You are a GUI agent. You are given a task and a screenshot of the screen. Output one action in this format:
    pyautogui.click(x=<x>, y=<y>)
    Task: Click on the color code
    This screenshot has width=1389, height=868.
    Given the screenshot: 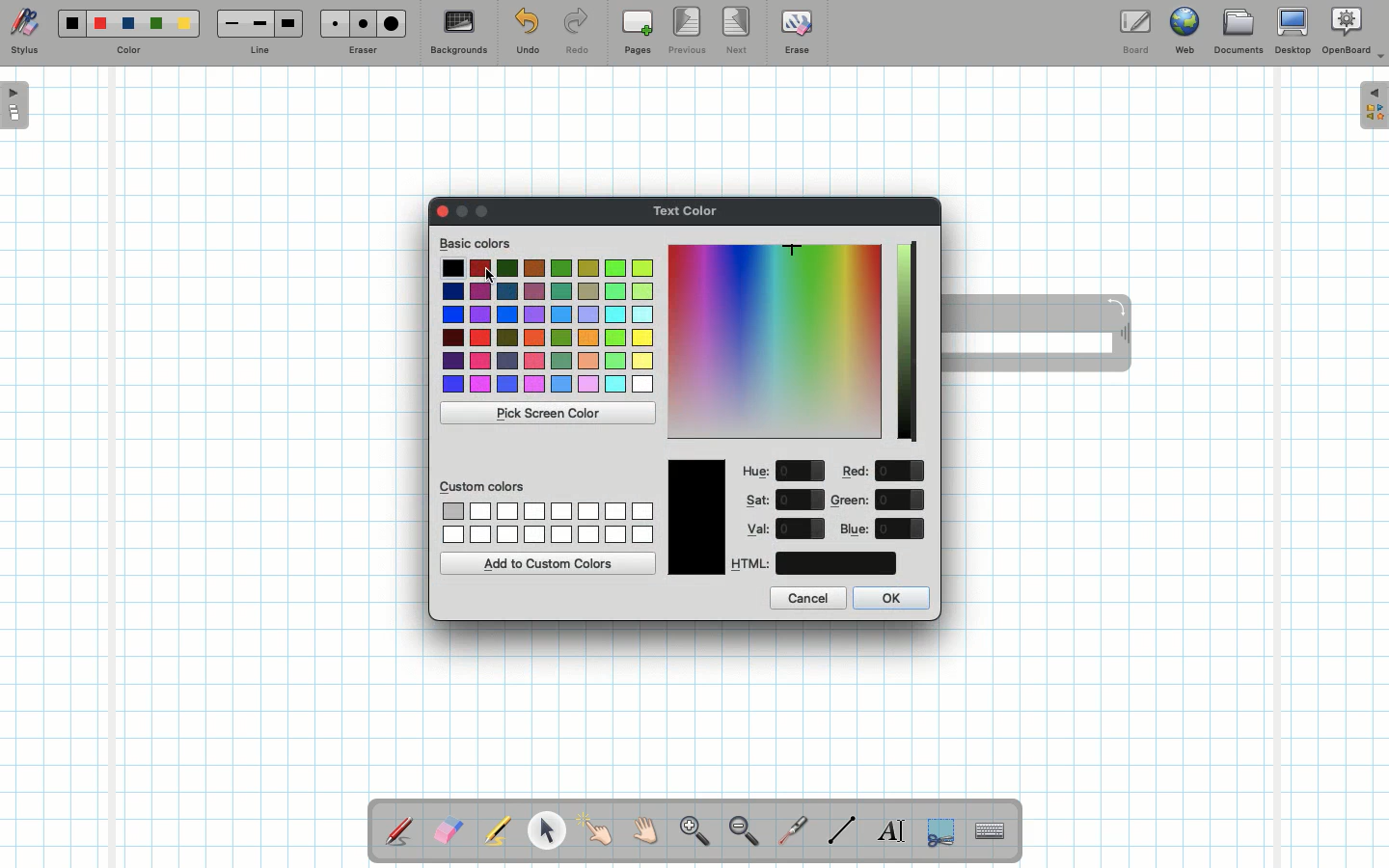 What is the action you would take?
    pyautogui.click(x=834, y=563)
    